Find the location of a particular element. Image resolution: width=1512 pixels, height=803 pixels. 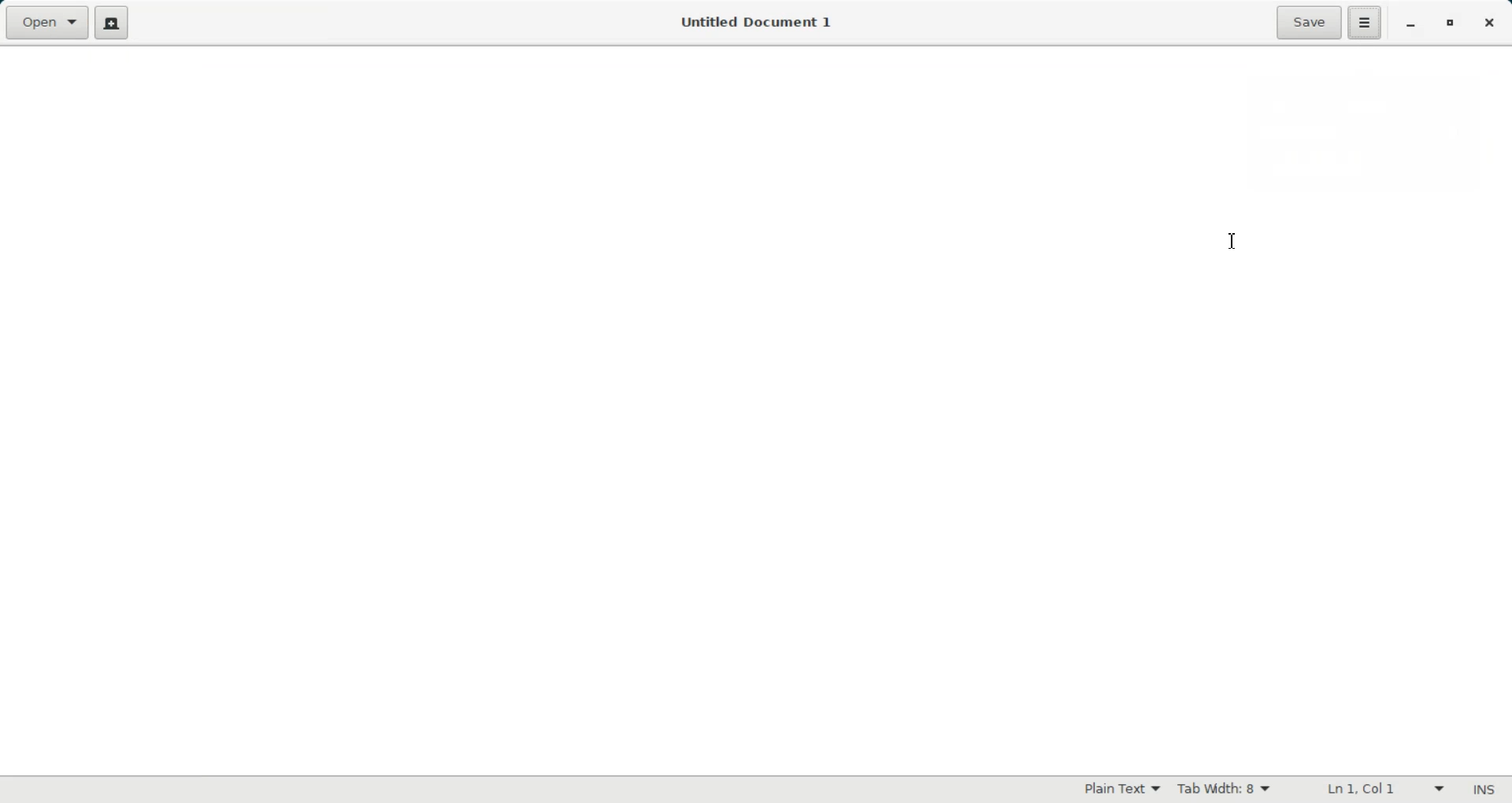

Maximize is located at coordinates (1451, 23).